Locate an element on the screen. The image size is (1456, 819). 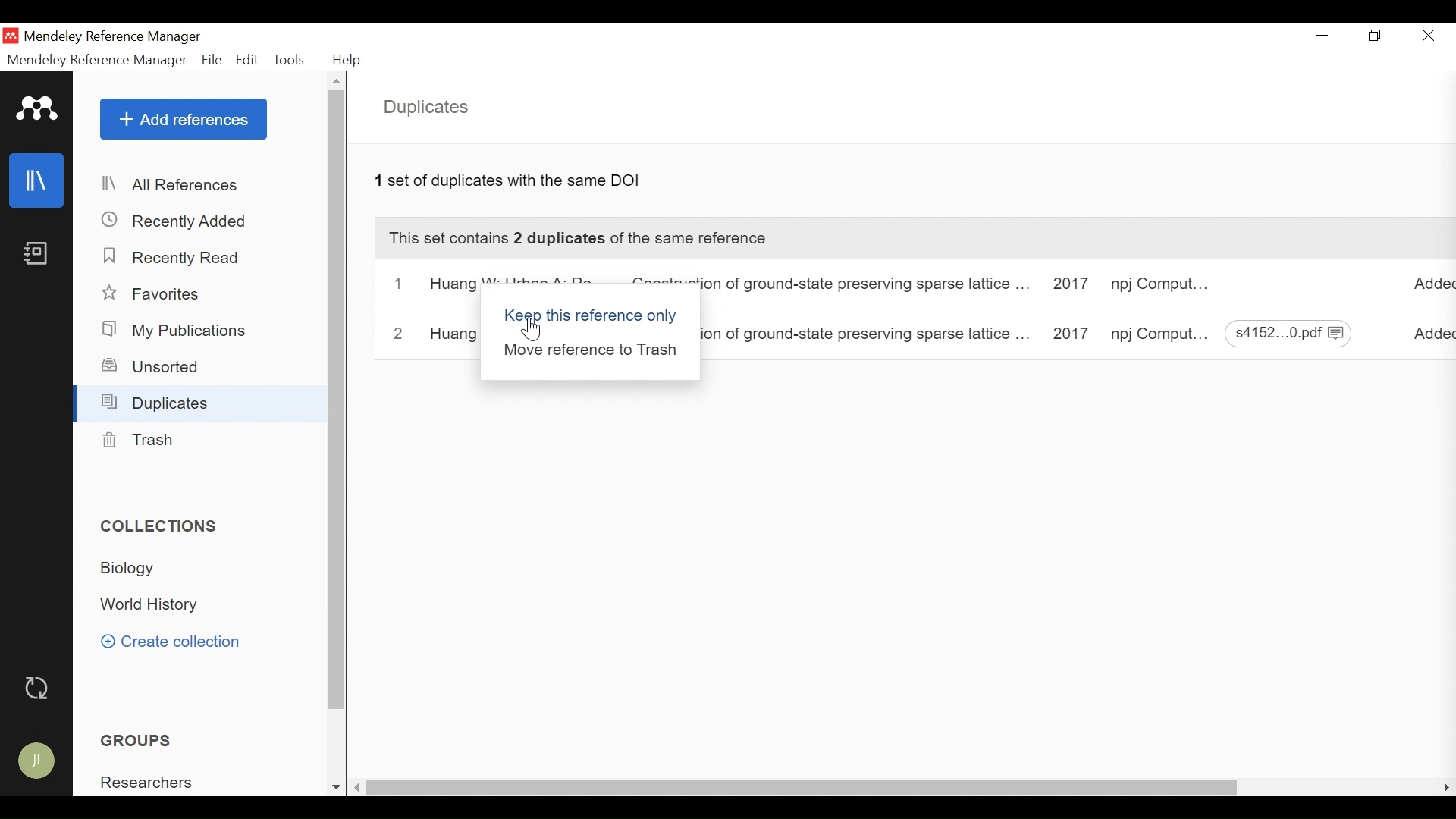
Recently Read is located at coordinates (175, 256).